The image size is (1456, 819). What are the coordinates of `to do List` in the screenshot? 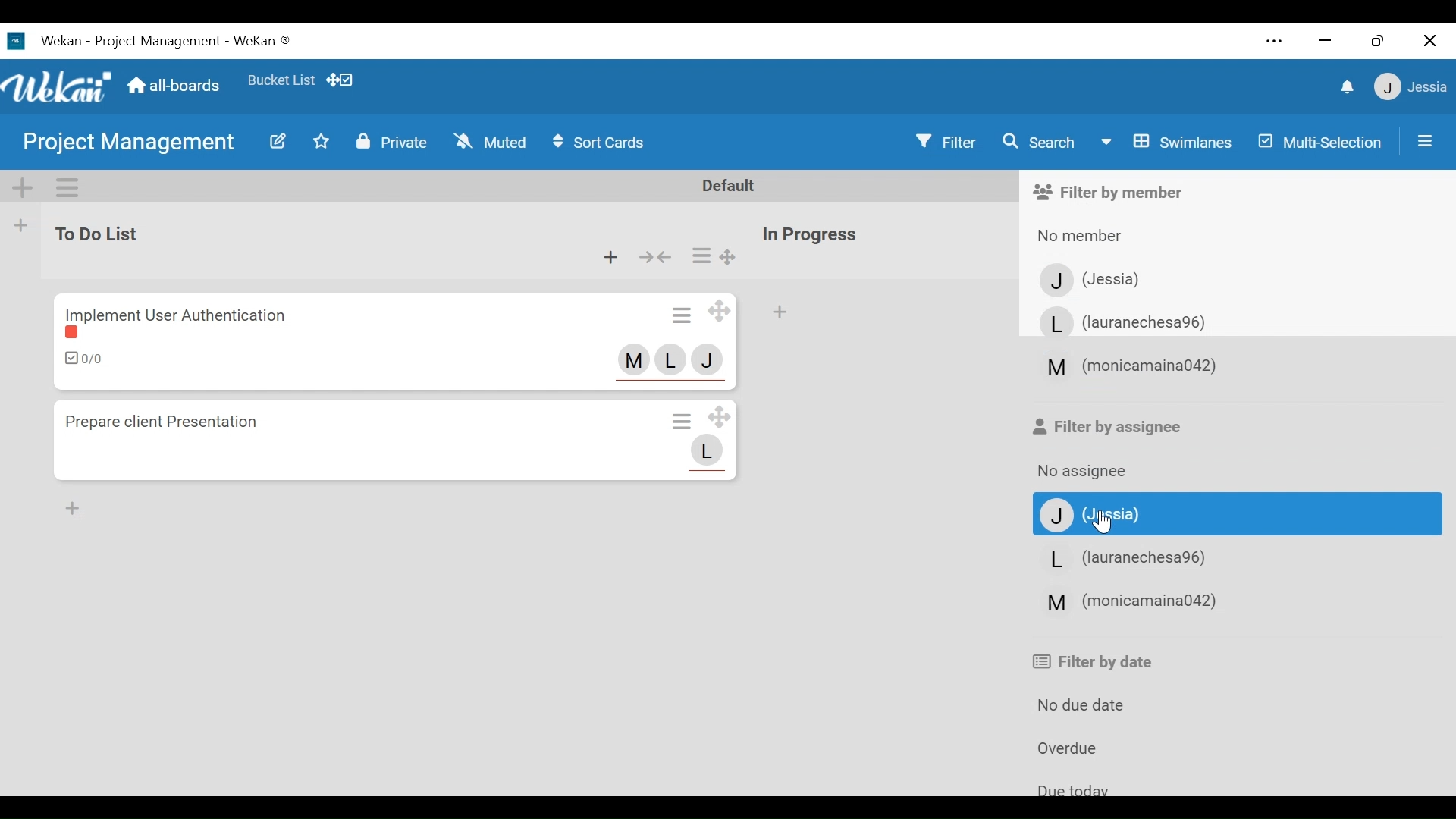 It's located at (129, 231).